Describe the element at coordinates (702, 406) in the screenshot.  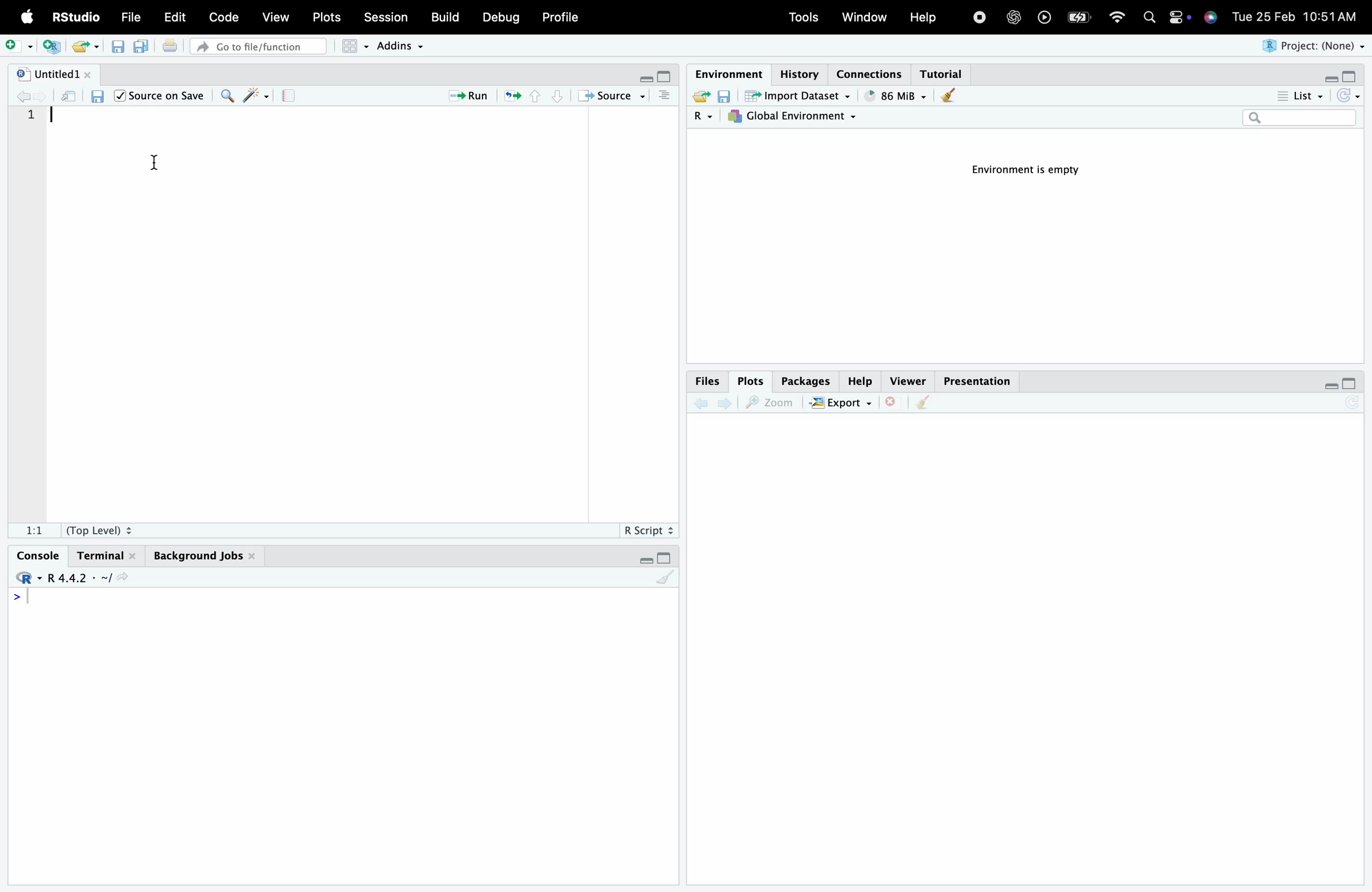
I see `back` at that location.